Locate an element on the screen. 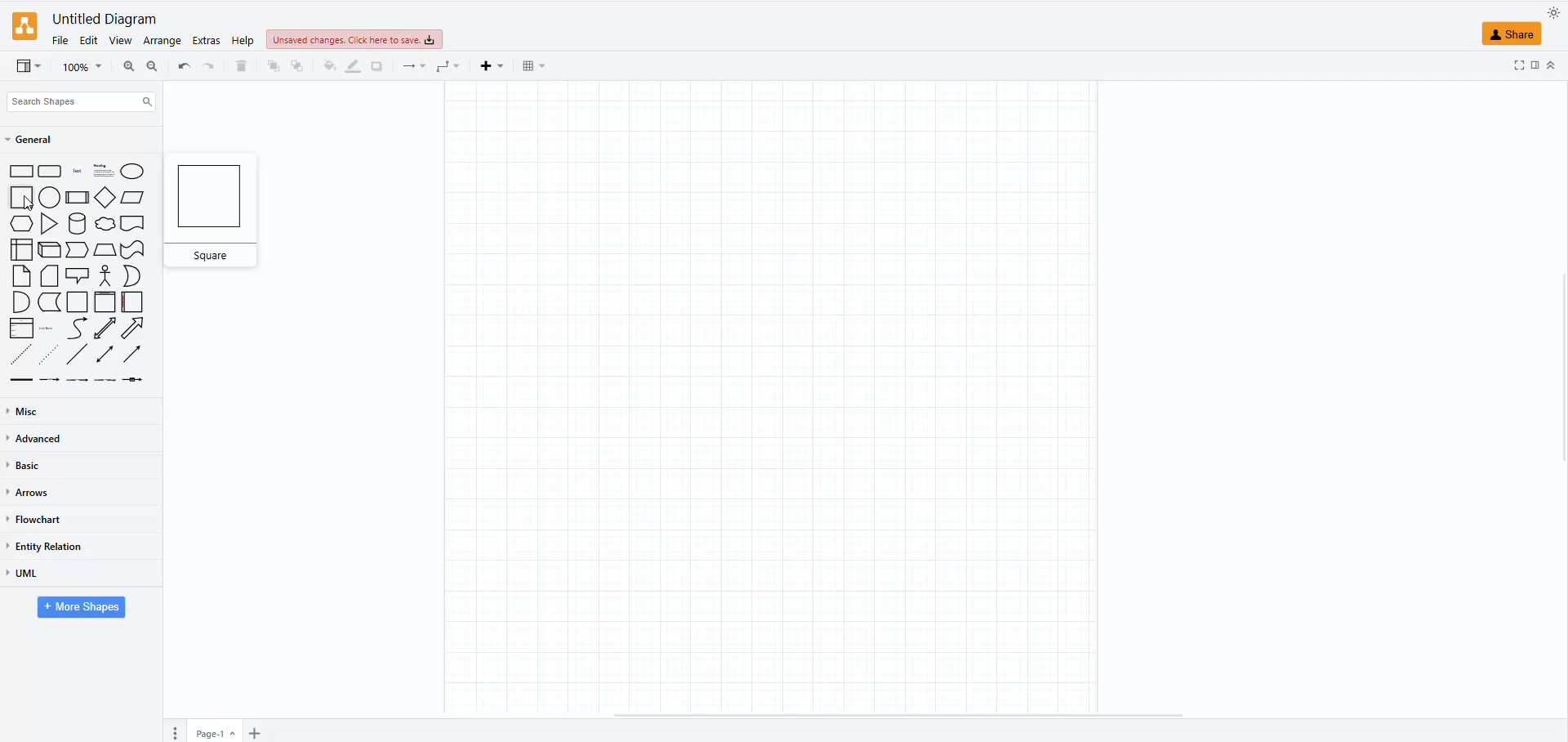 This screenshot has width=1568, height=742. internal storage is located at coordinates (22, 249).